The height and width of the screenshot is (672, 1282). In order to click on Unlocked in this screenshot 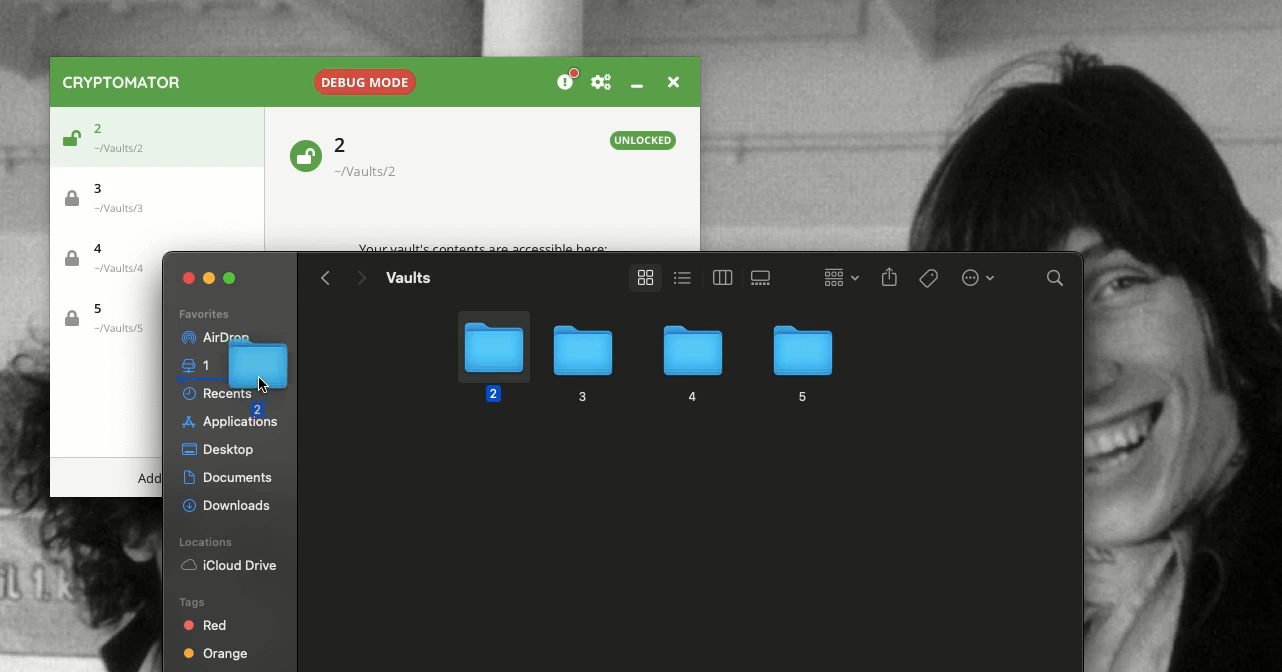, I will do `click(644, 140)`.